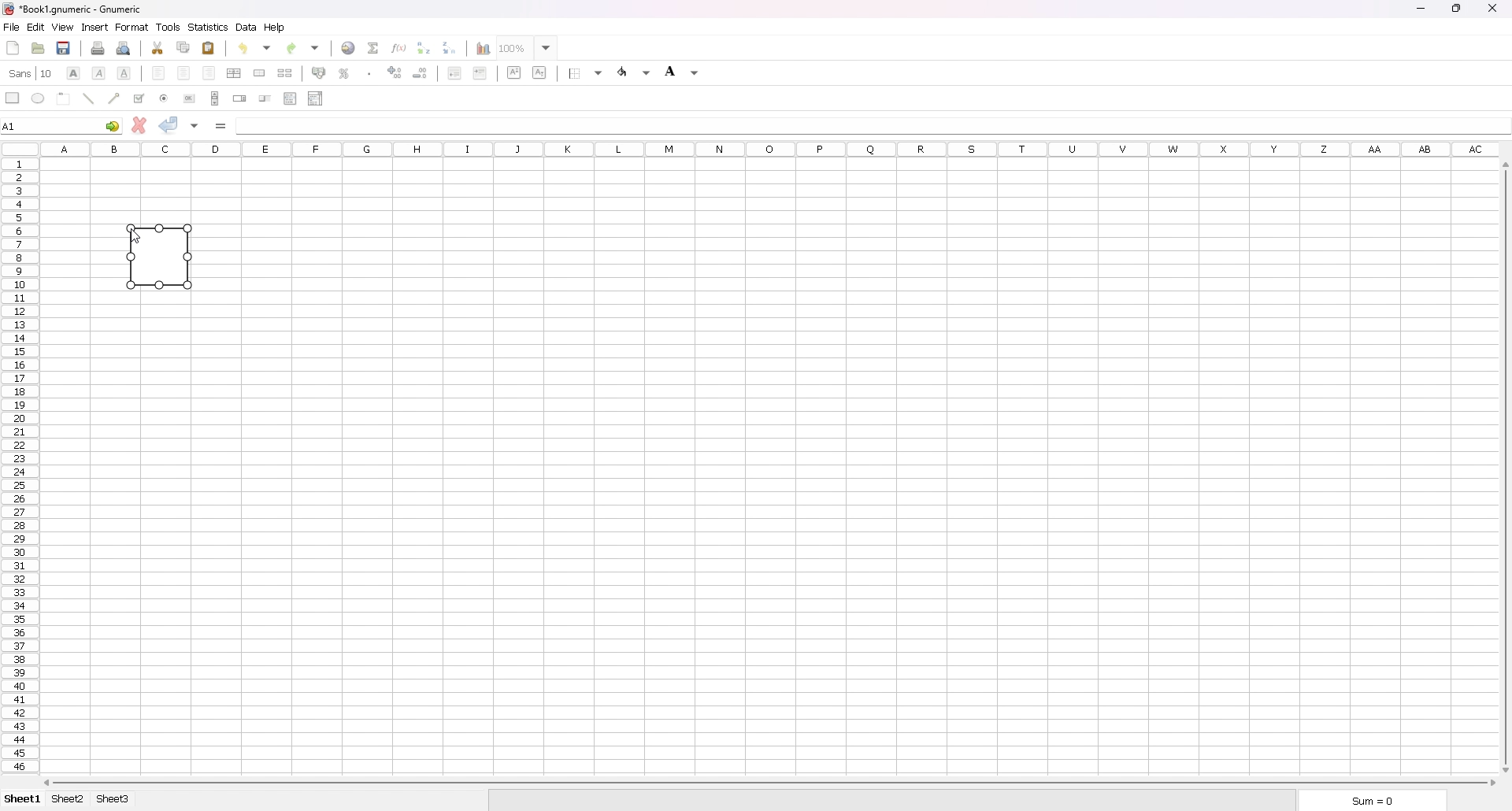 This screenshot has height=811, width=1512. Describe the element at coordinates (208, 28) in the screenshot. I see `statistics` at that location.